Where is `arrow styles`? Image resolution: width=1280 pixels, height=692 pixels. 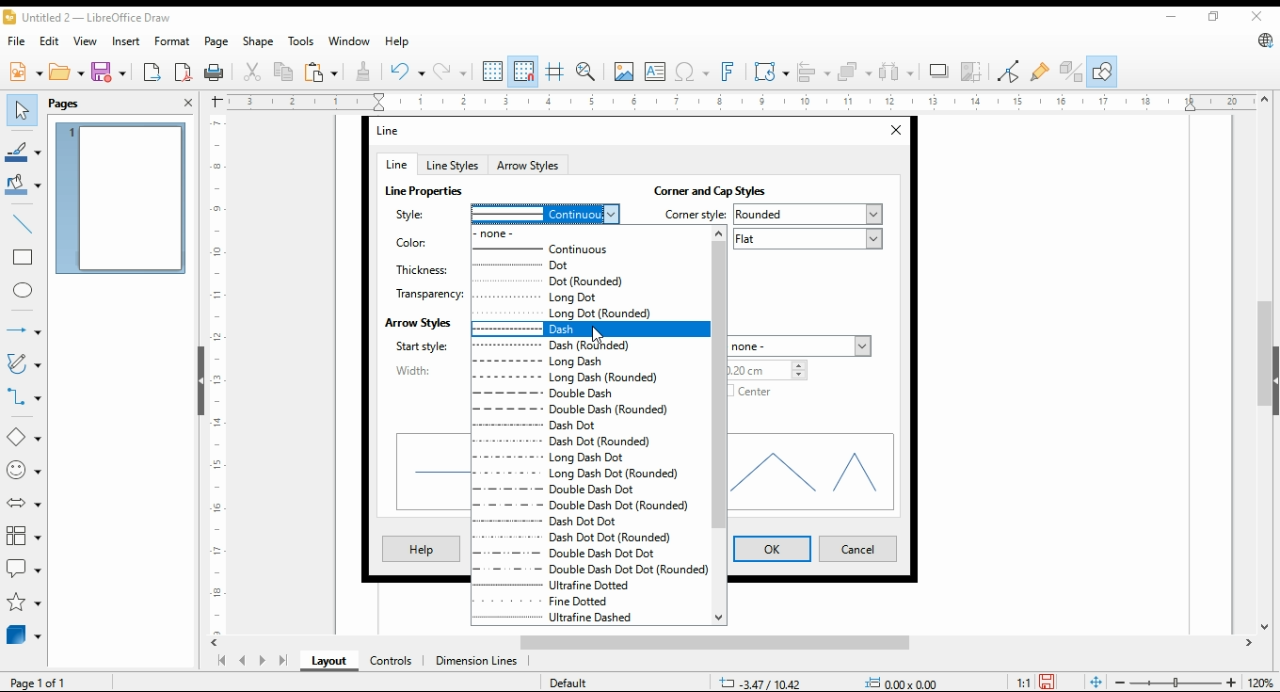
arrow styles is located at coordinates (529, 164).